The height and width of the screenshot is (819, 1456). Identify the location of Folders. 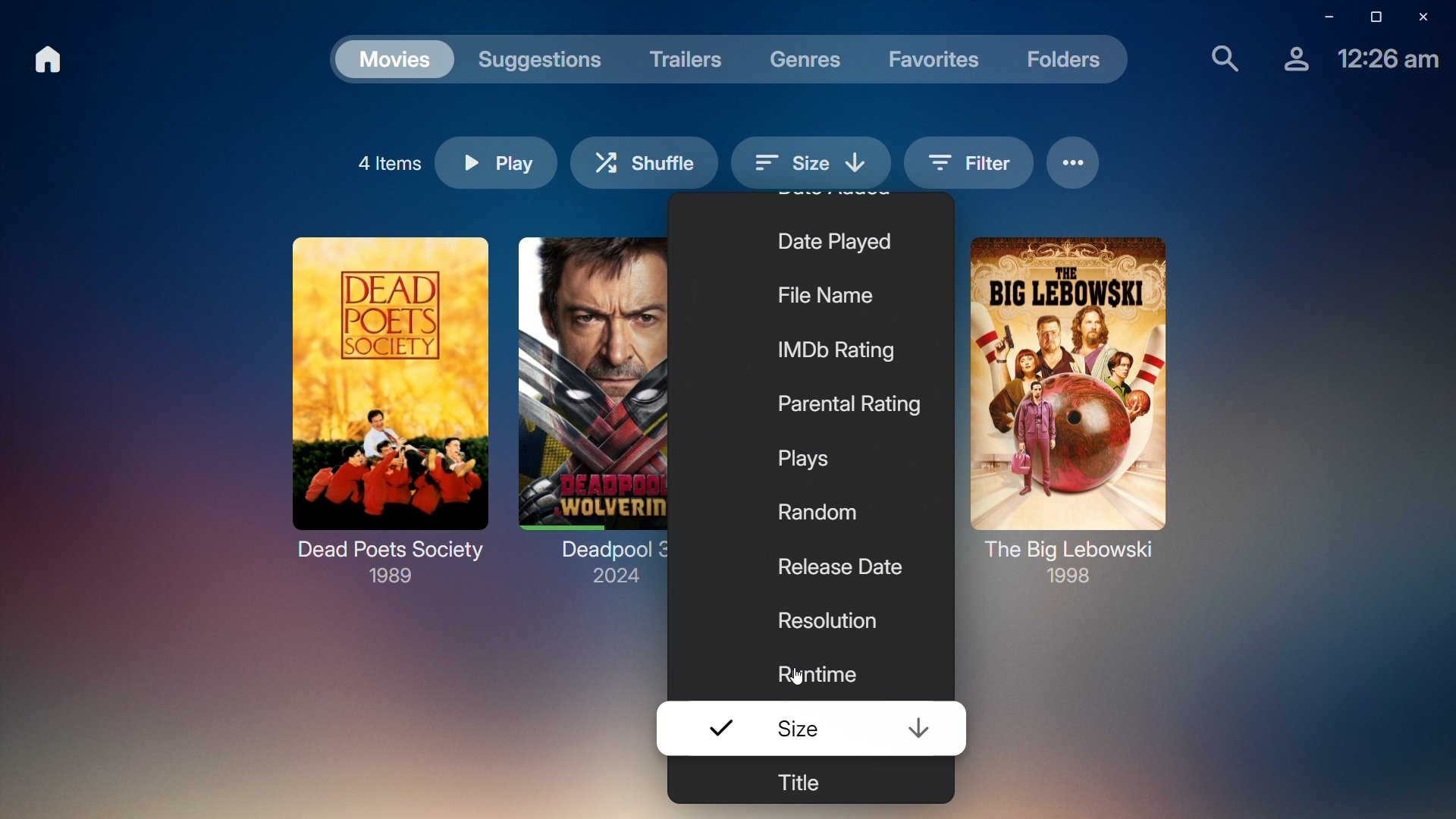
(1069, 64).